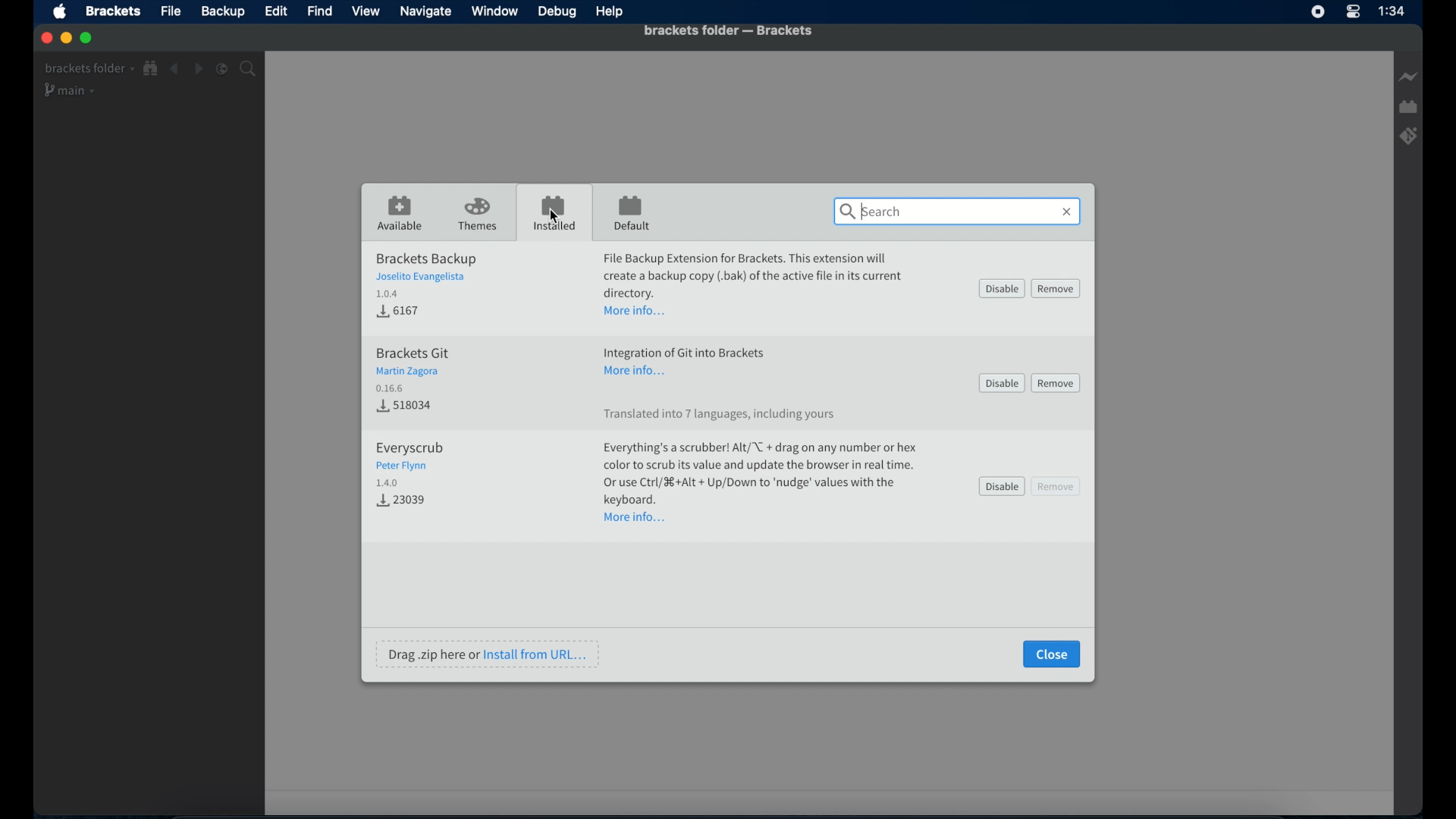 This screenshot has height=819, width=1456. Describe the element at coordinates (703, 30) in the screenshot. I see `Brackets folder - Brackets` at that location.